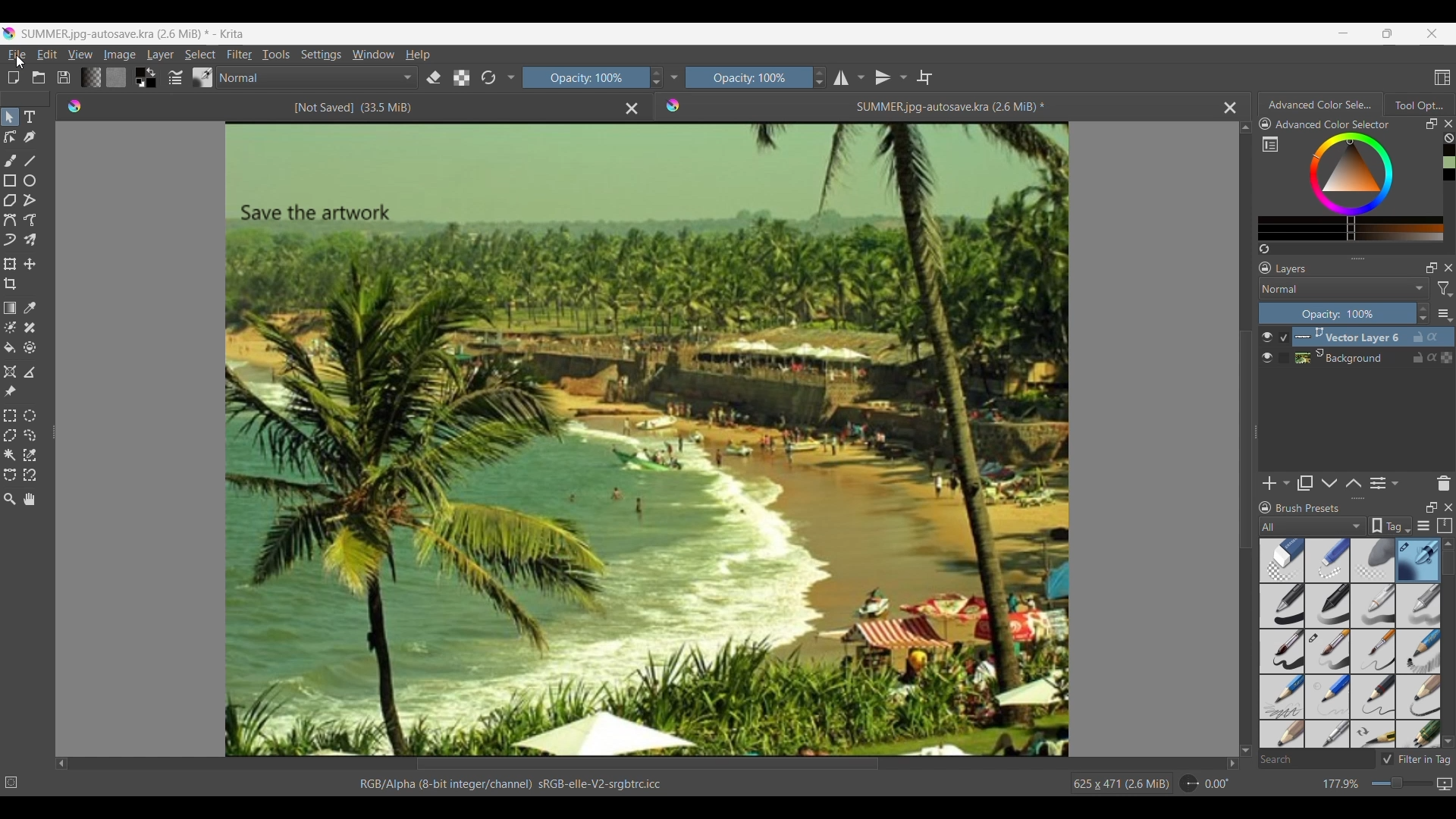  I want to click on Show/Hide more tools, so click(512, 78).